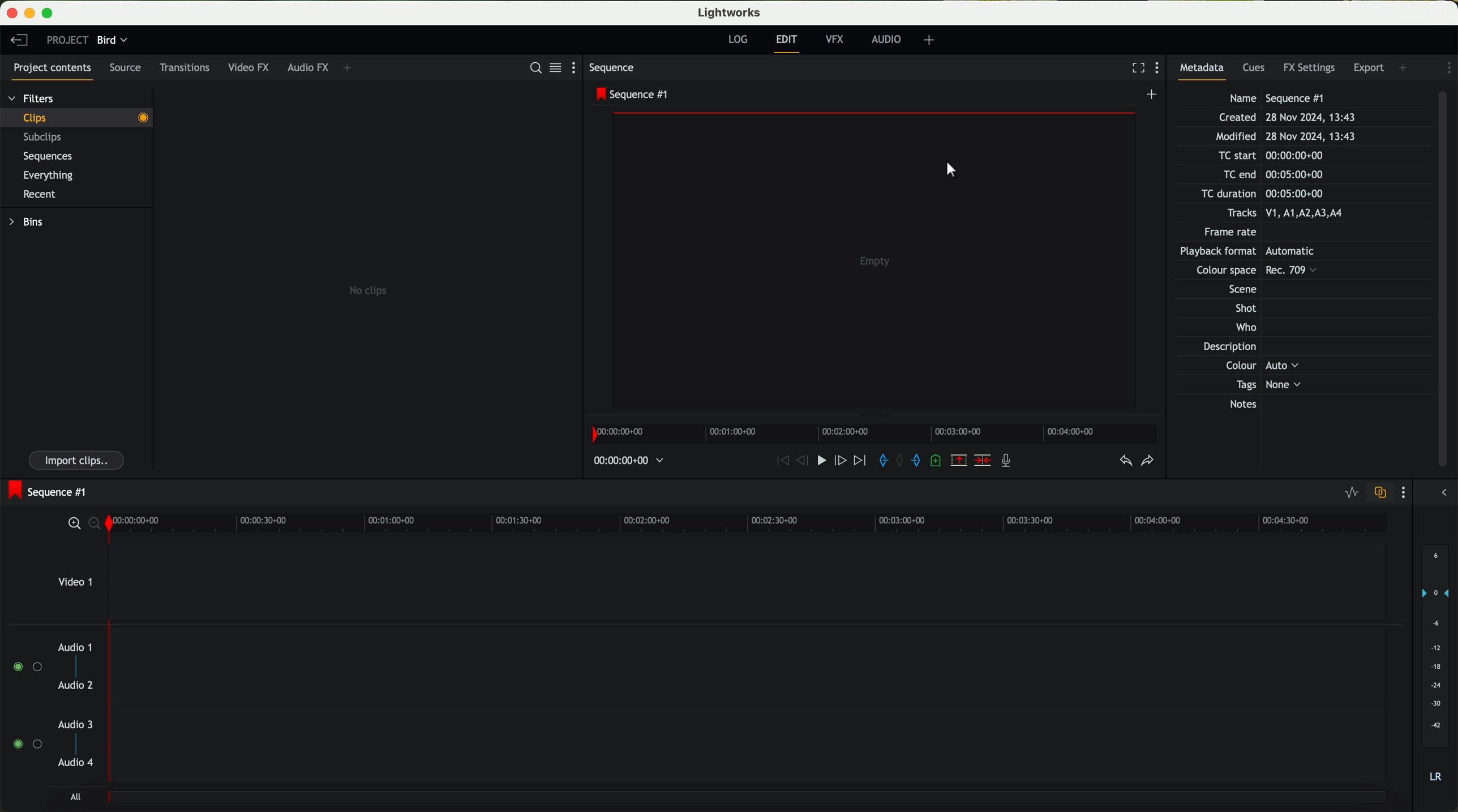  I want to click on video preview, so click(869, 256).